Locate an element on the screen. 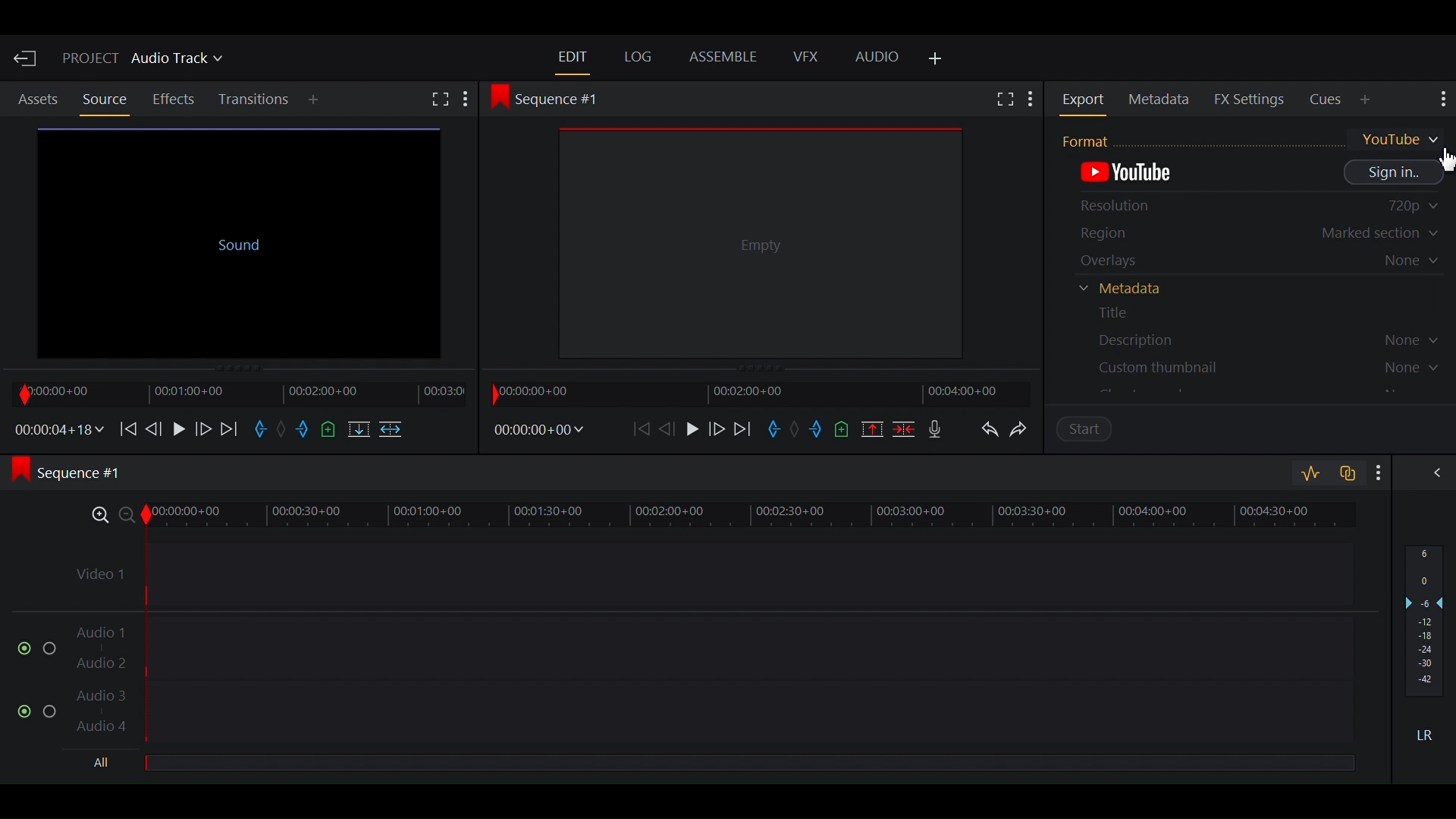 Image resolution: width=1456 pixels, height=819 pixels. Mark out is located at coordinates (818, 431).